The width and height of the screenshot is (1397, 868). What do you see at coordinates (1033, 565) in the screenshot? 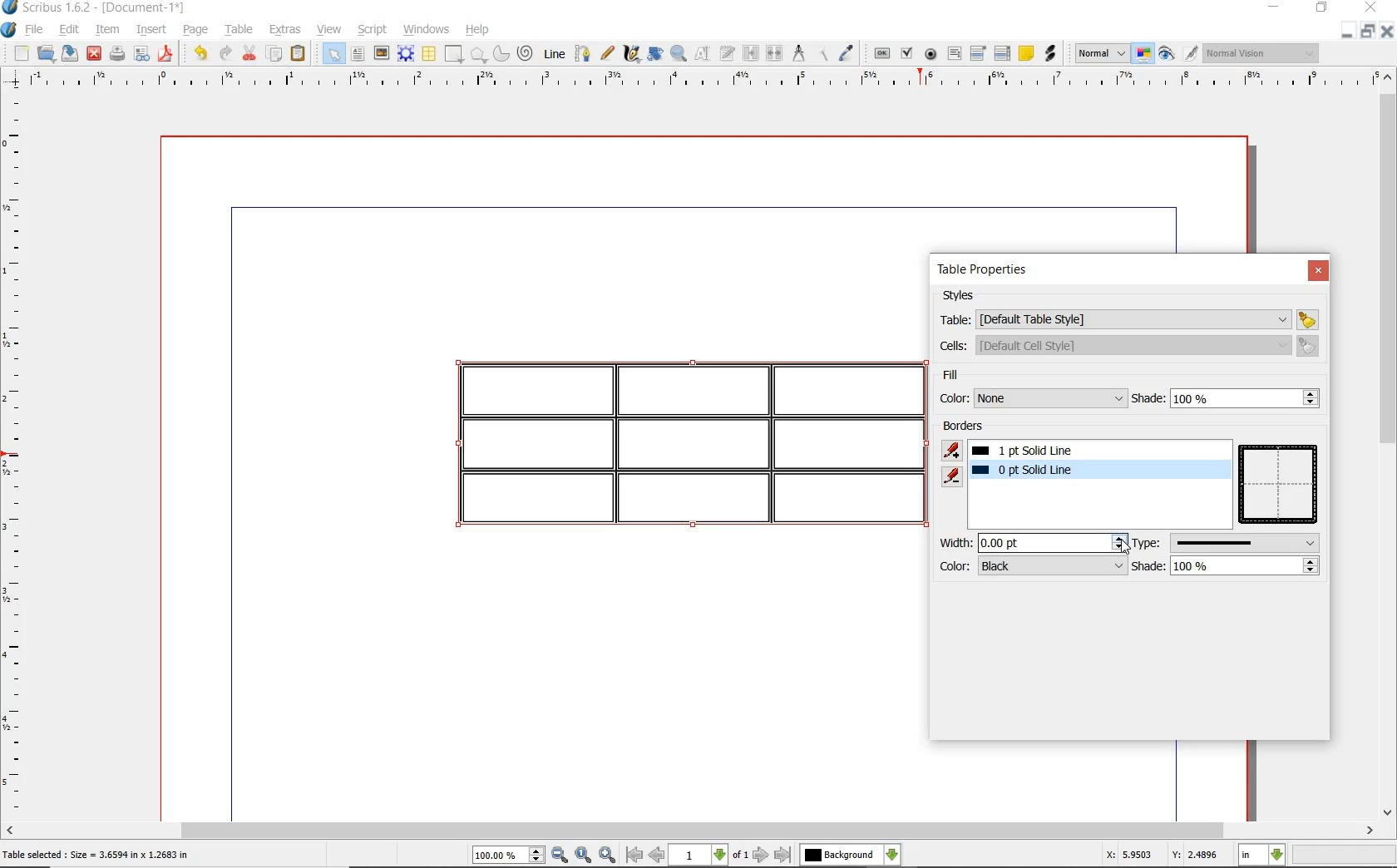
I see `color` at bounding box center [1033, 565].